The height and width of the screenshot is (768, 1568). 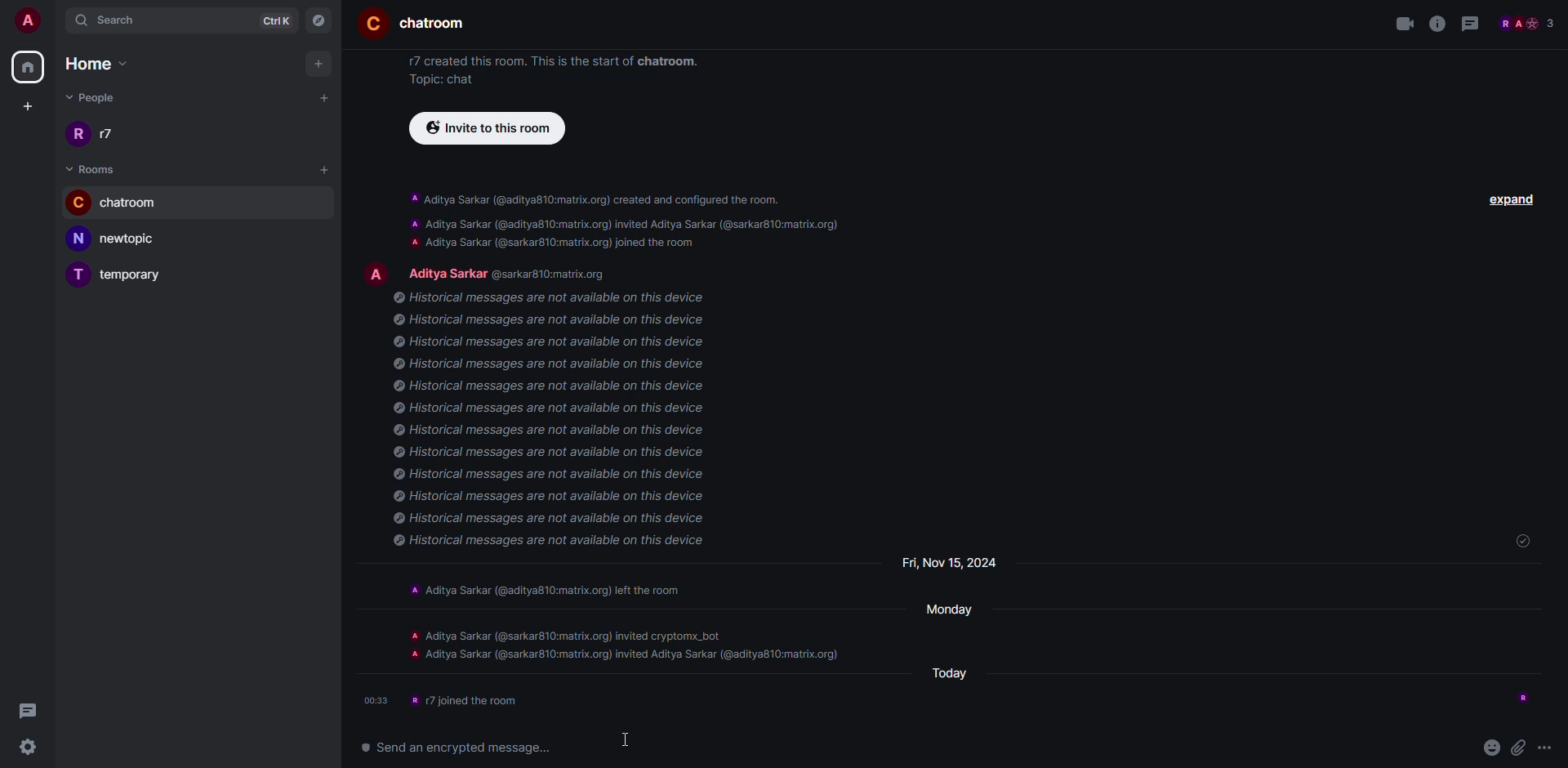 What do you see at coordinates (93, 132) in the screenshot?
I see `r17` at bounding box center [93, 132].